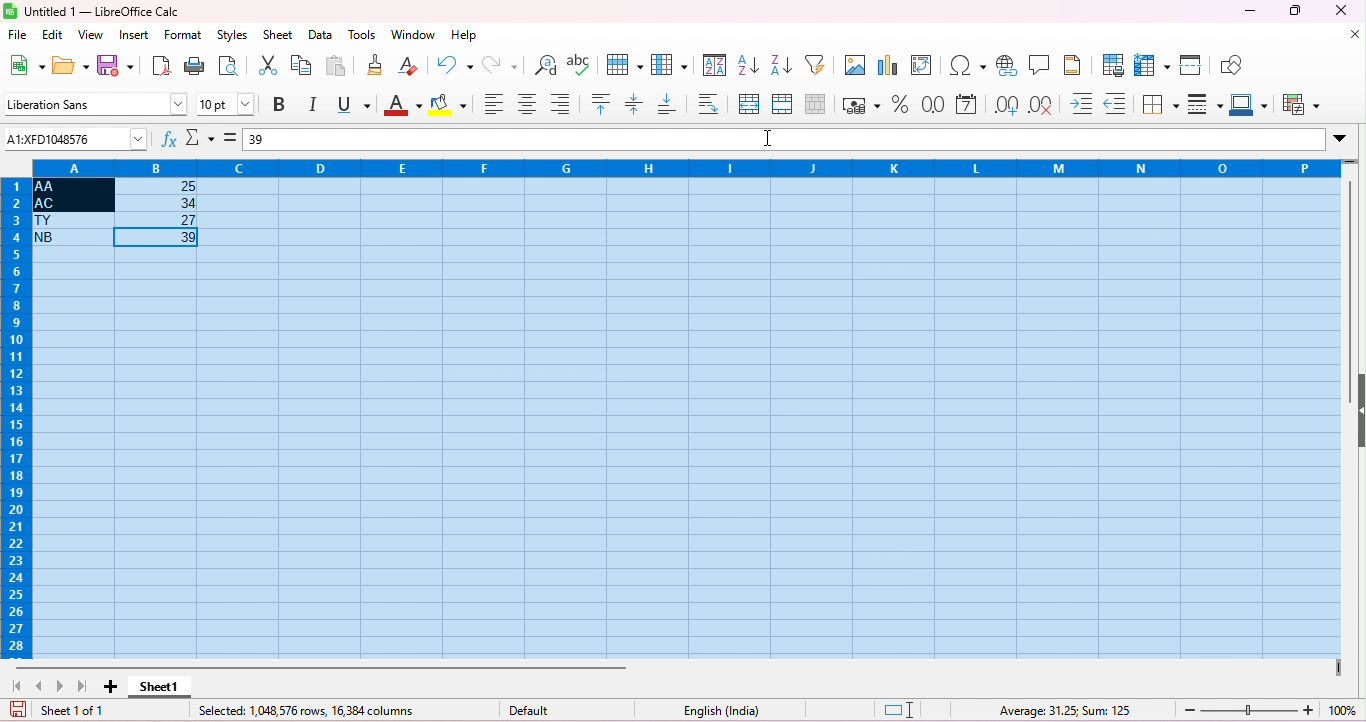 The height and width of the screenshot is (722, 1366). Describe the element at coordinates (715, 708) in the screenshot. I see `language` at that location.